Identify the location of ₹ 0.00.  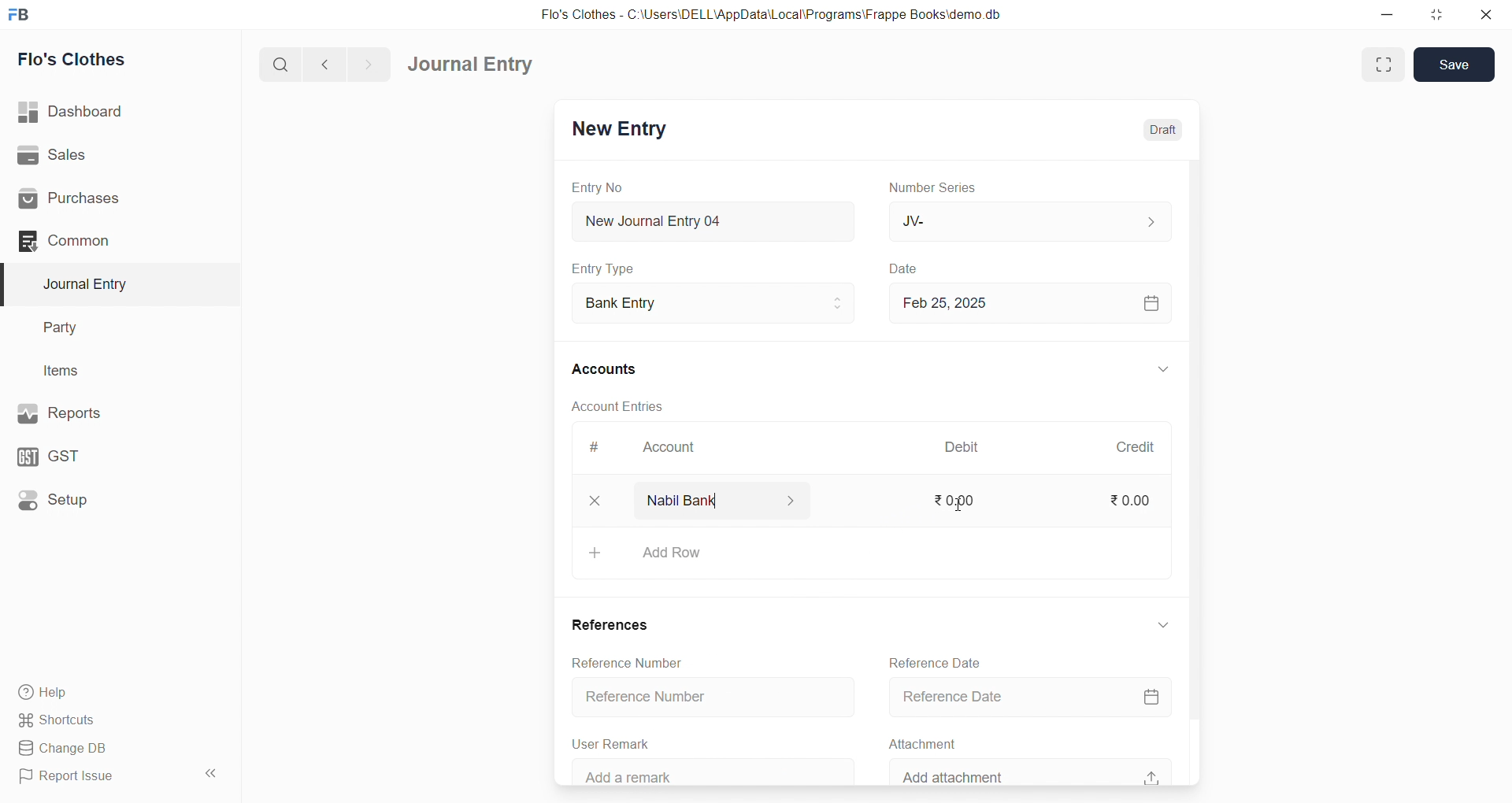
(950, 499).